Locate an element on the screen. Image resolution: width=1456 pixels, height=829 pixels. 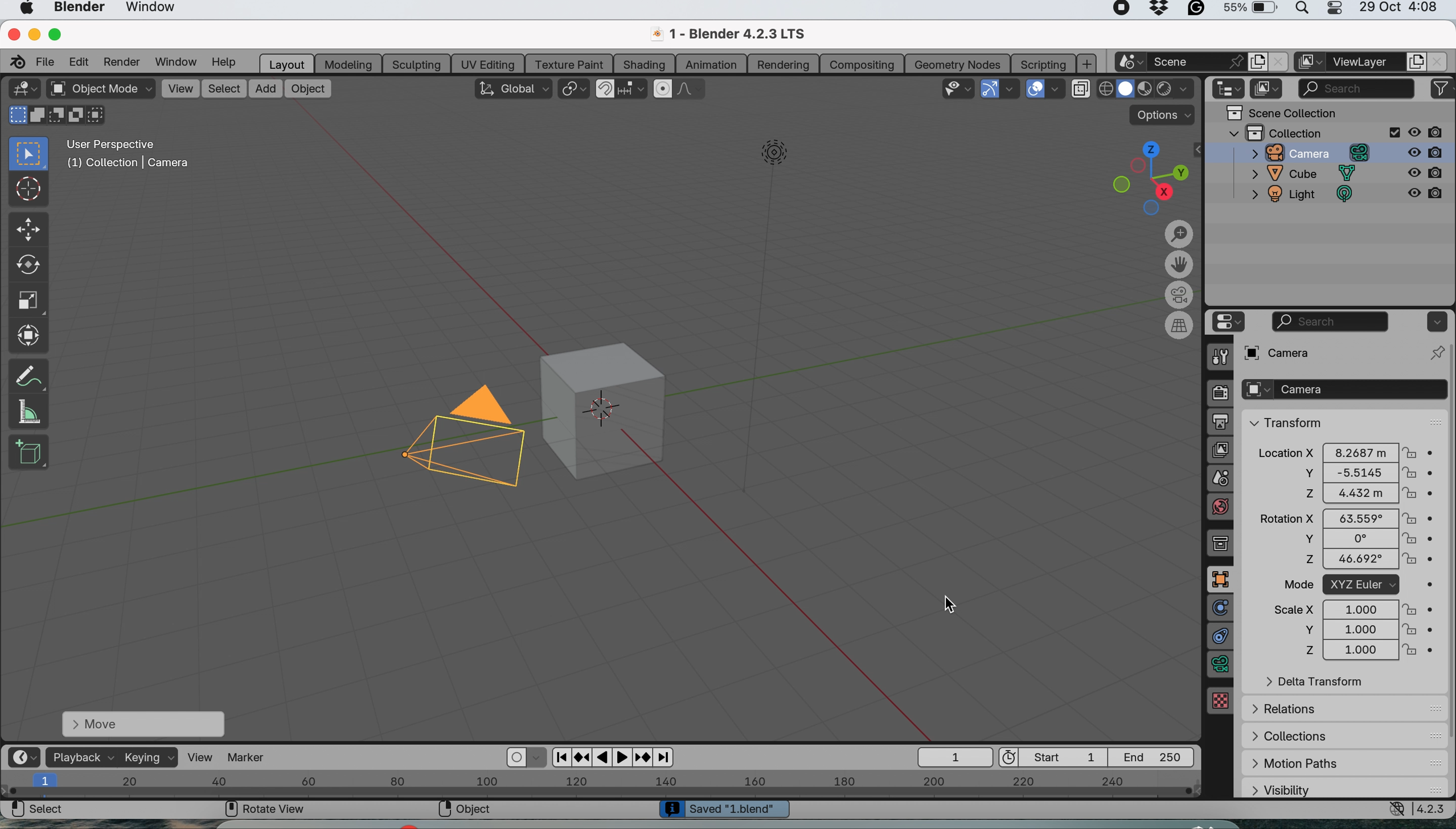
gizmos is located at coordinates (1012, 89).